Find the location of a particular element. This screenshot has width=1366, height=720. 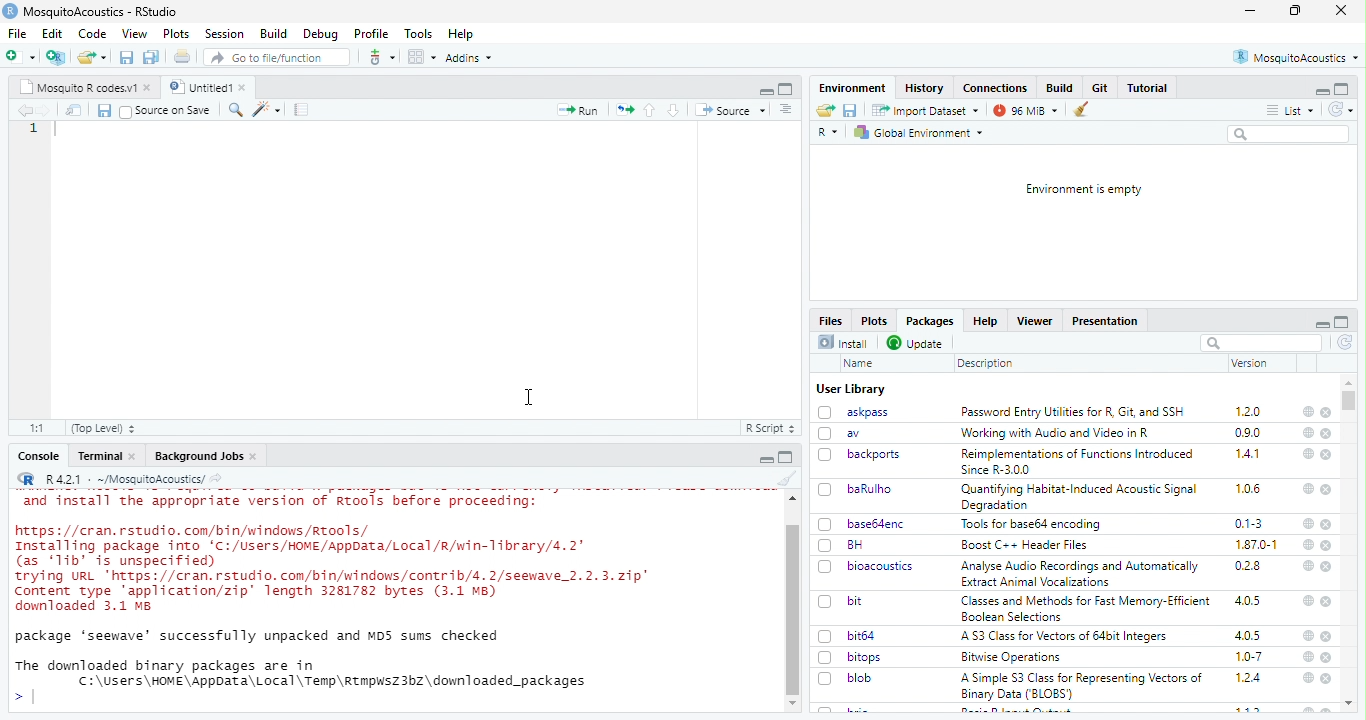

Tools for base64 encoding is located at coordinates (1032, 525).